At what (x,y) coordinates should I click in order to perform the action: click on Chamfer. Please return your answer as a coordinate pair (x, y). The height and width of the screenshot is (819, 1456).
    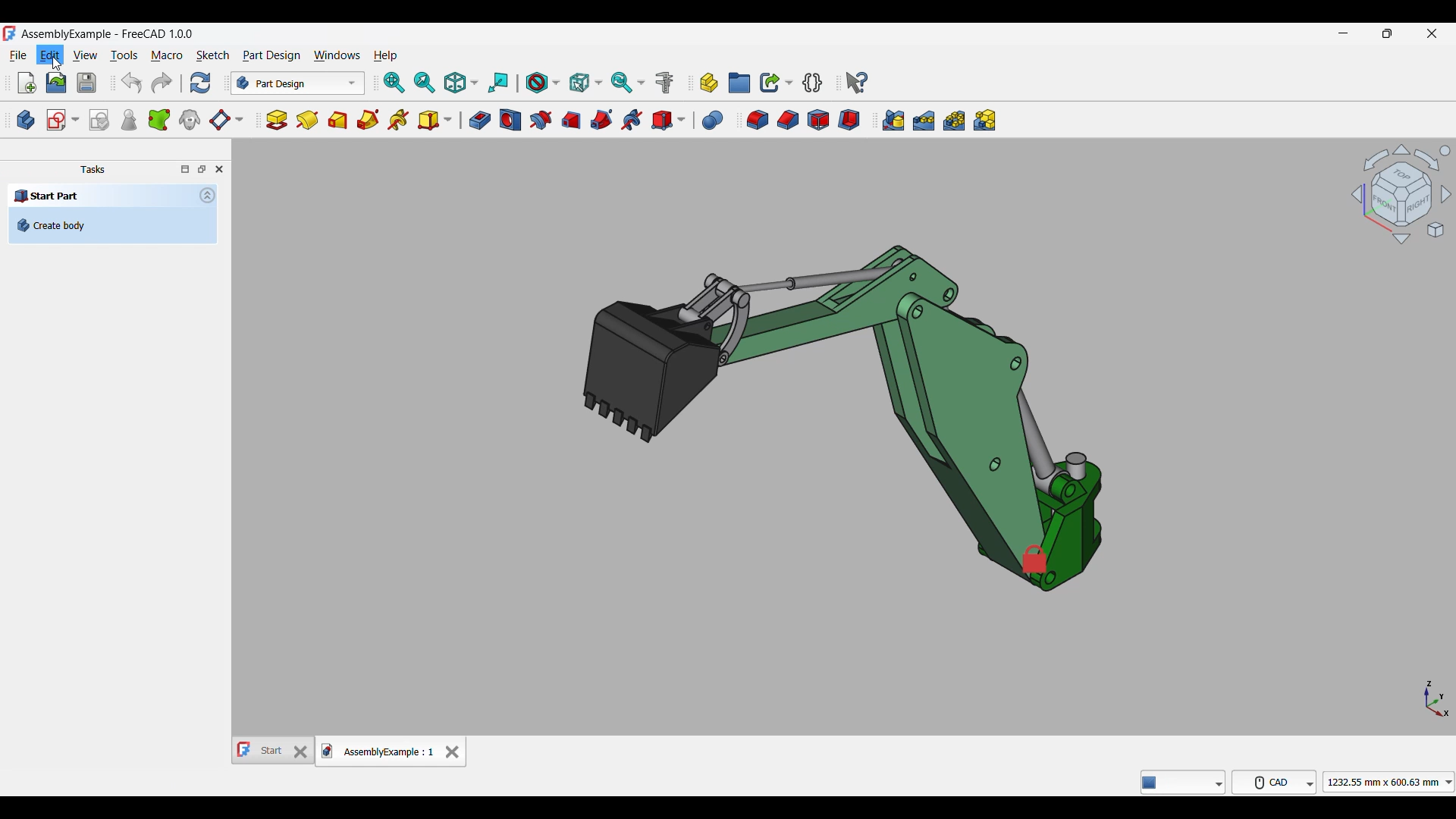
    Looking at the image, I should click on (788, 120).